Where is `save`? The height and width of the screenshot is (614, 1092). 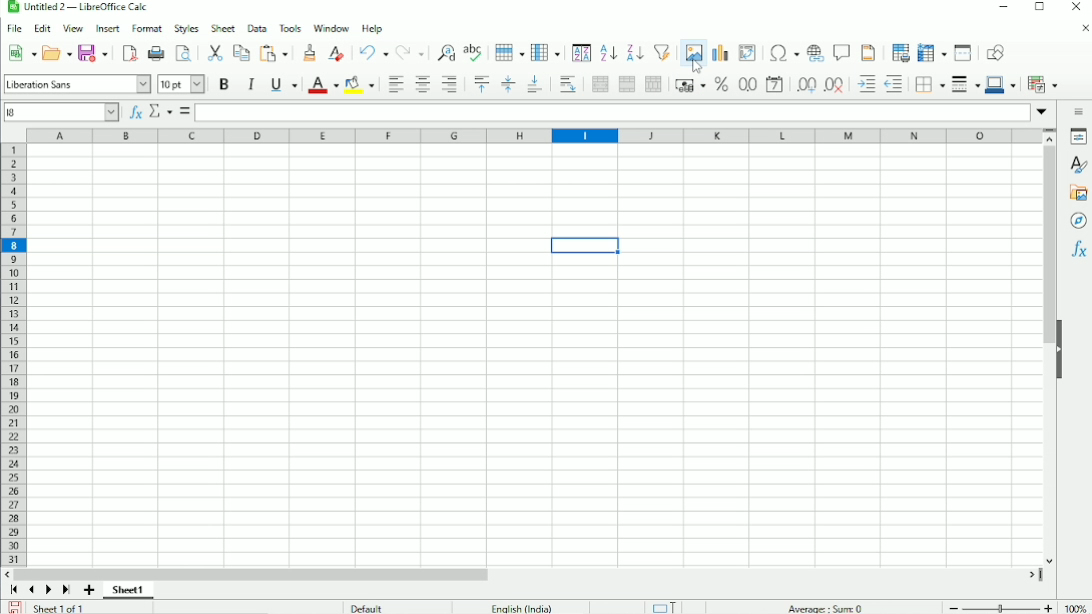
save is located at coordinates (94, 53).